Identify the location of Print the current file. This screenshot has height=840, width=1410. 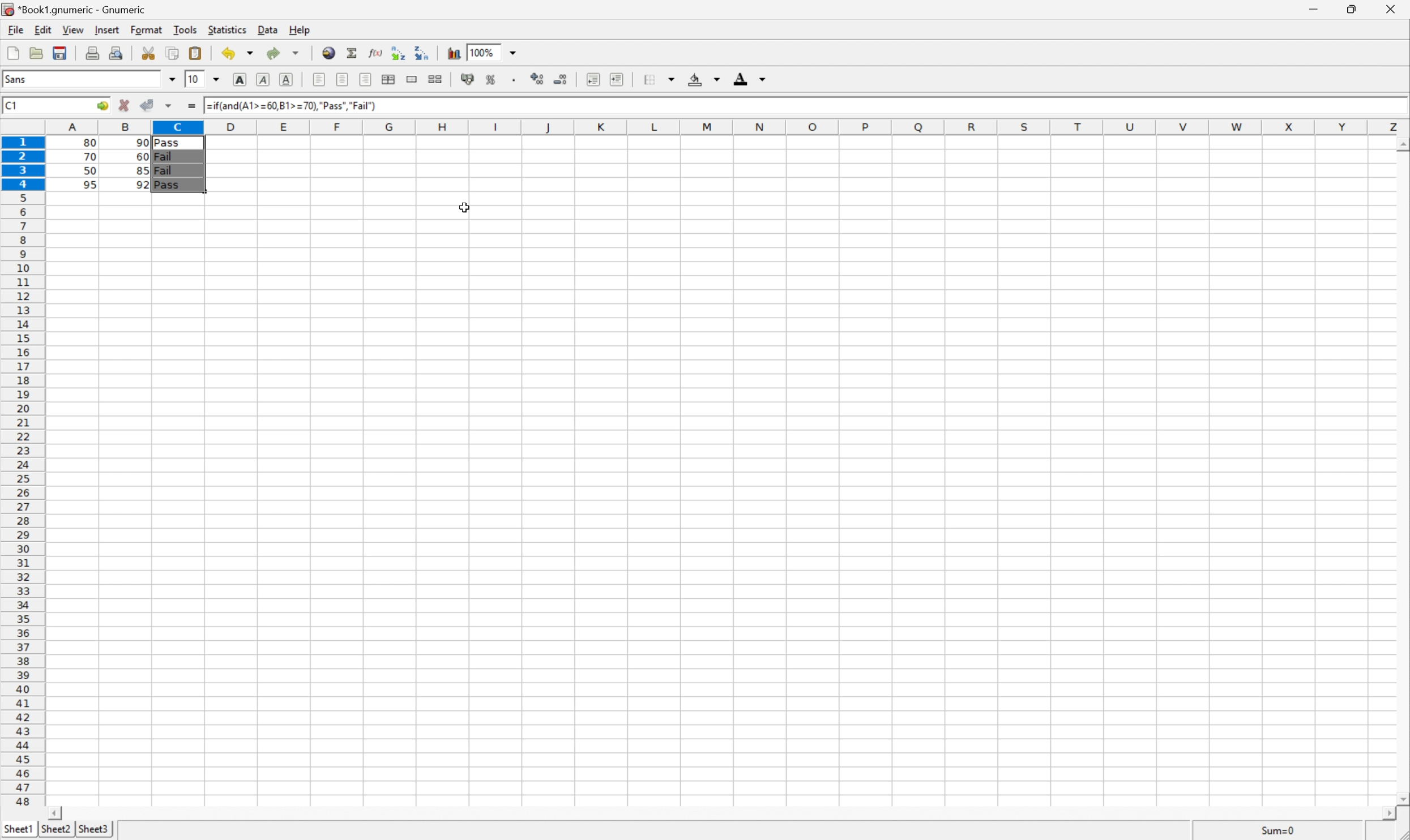
(91, 53).